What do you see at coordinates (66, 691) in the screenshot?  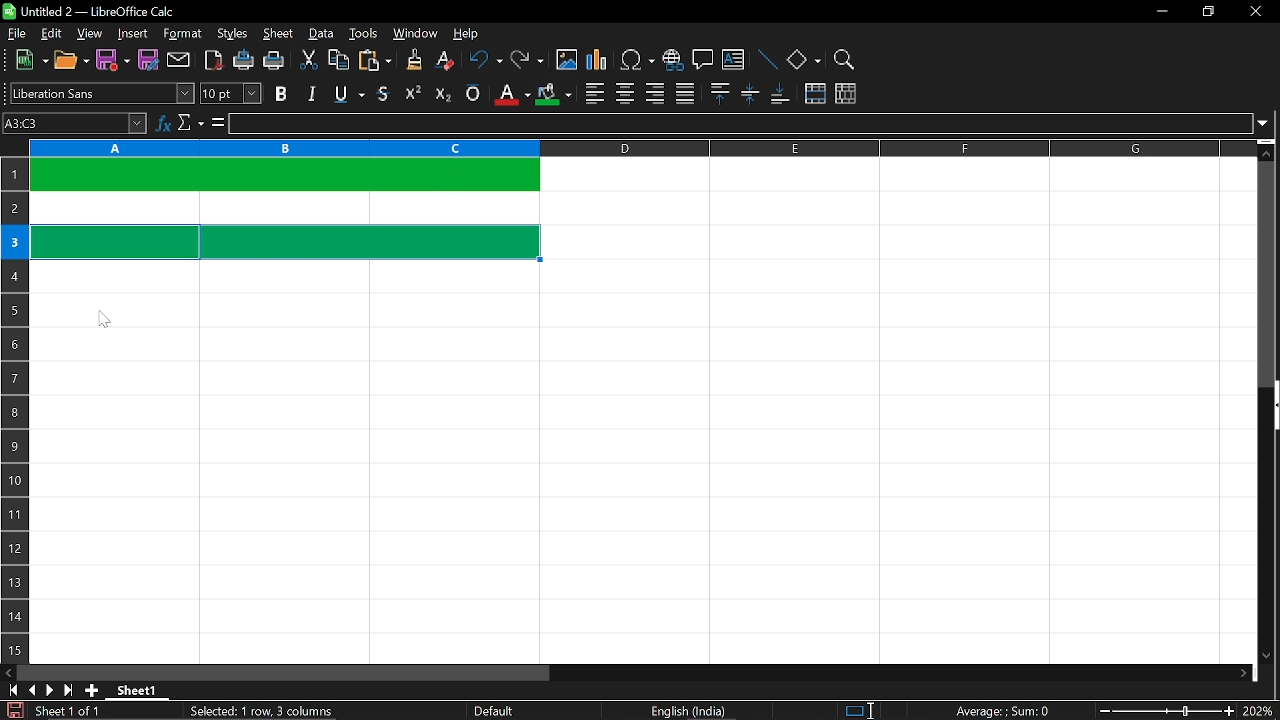 I see `go to last sheet` at bounding box center [66, 691].